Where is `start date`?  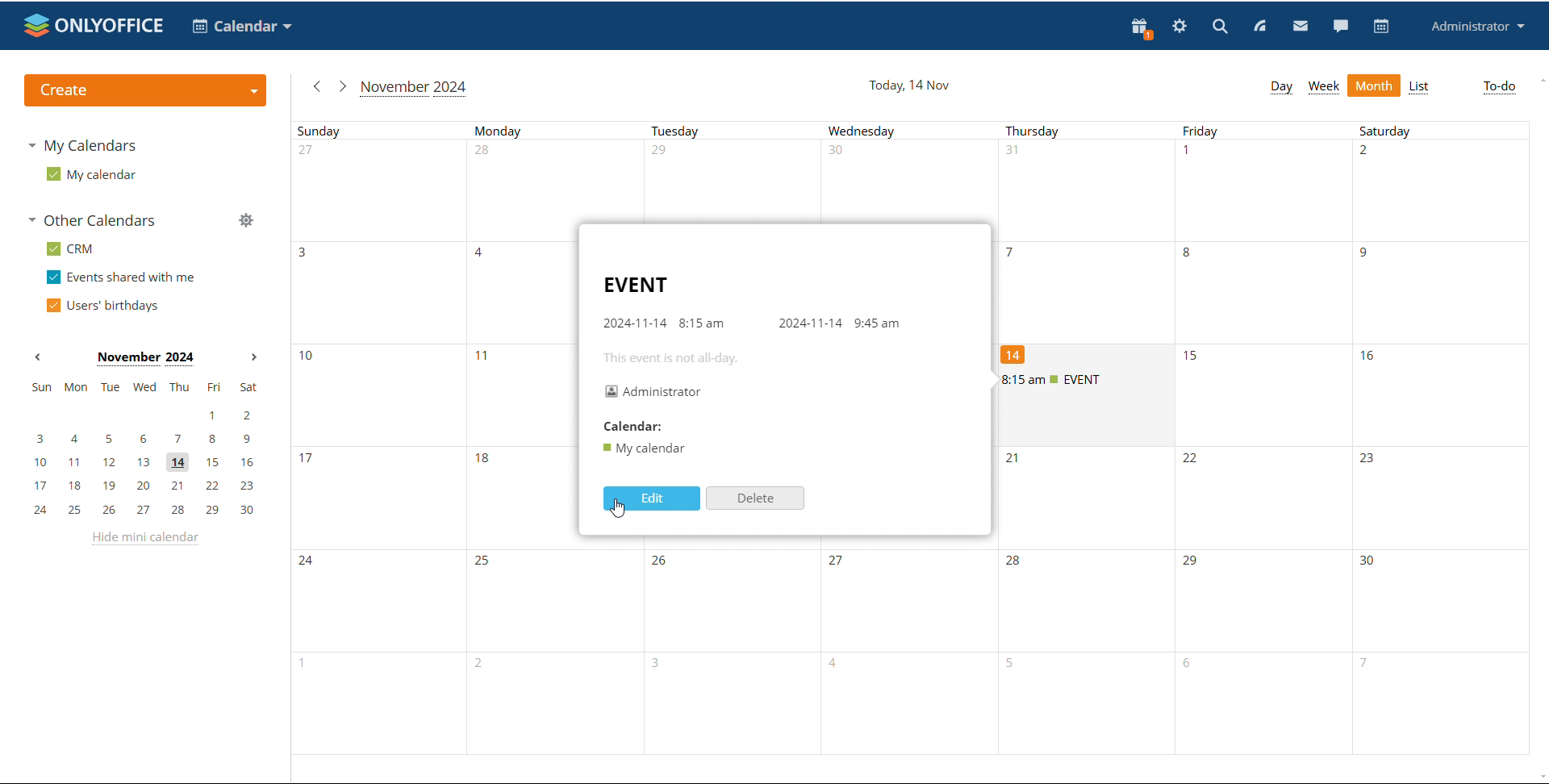 start date is located at coordinates (634, 321).